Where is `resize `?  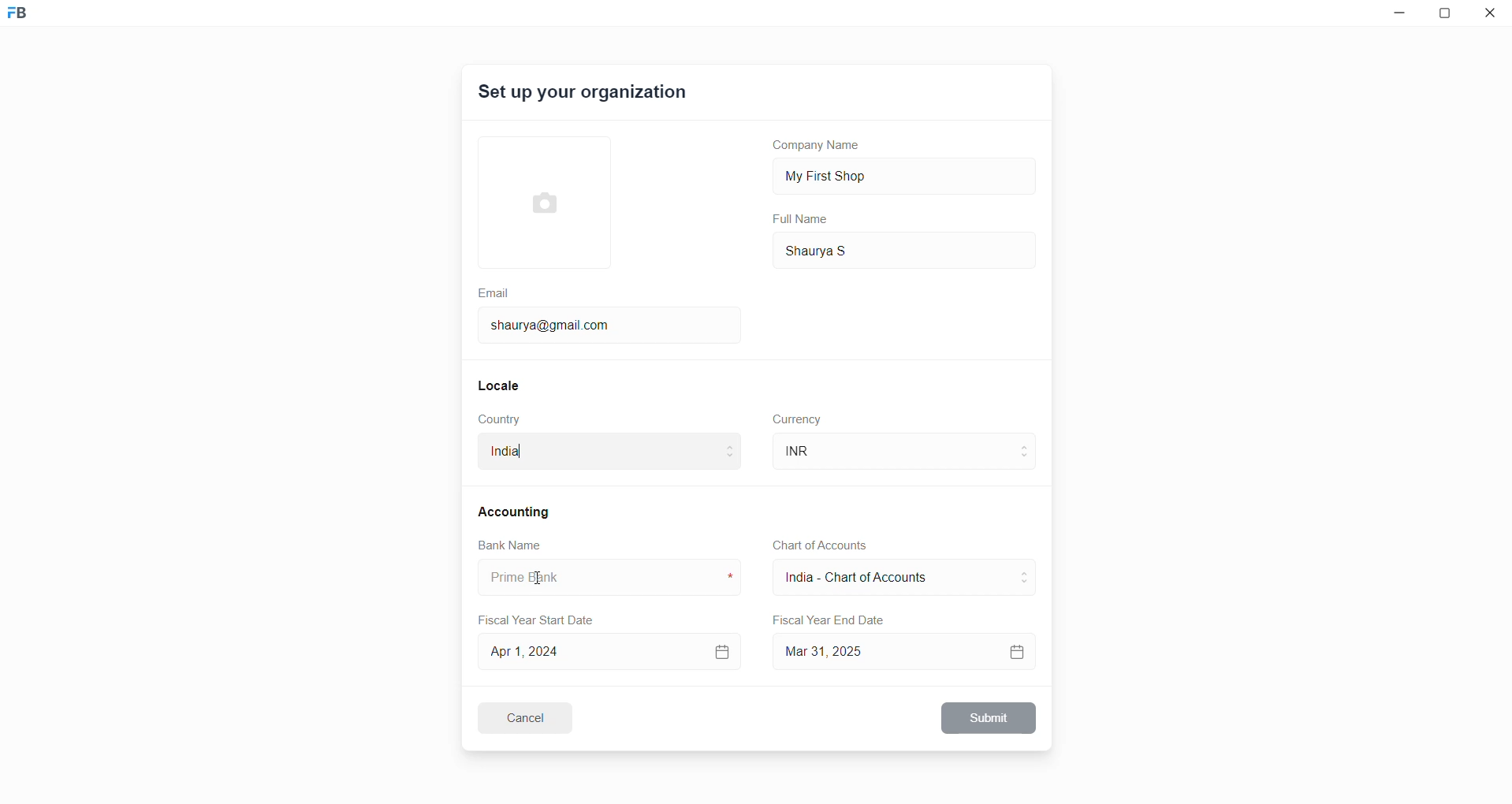 resize  is located at coordinates (1449, 16).